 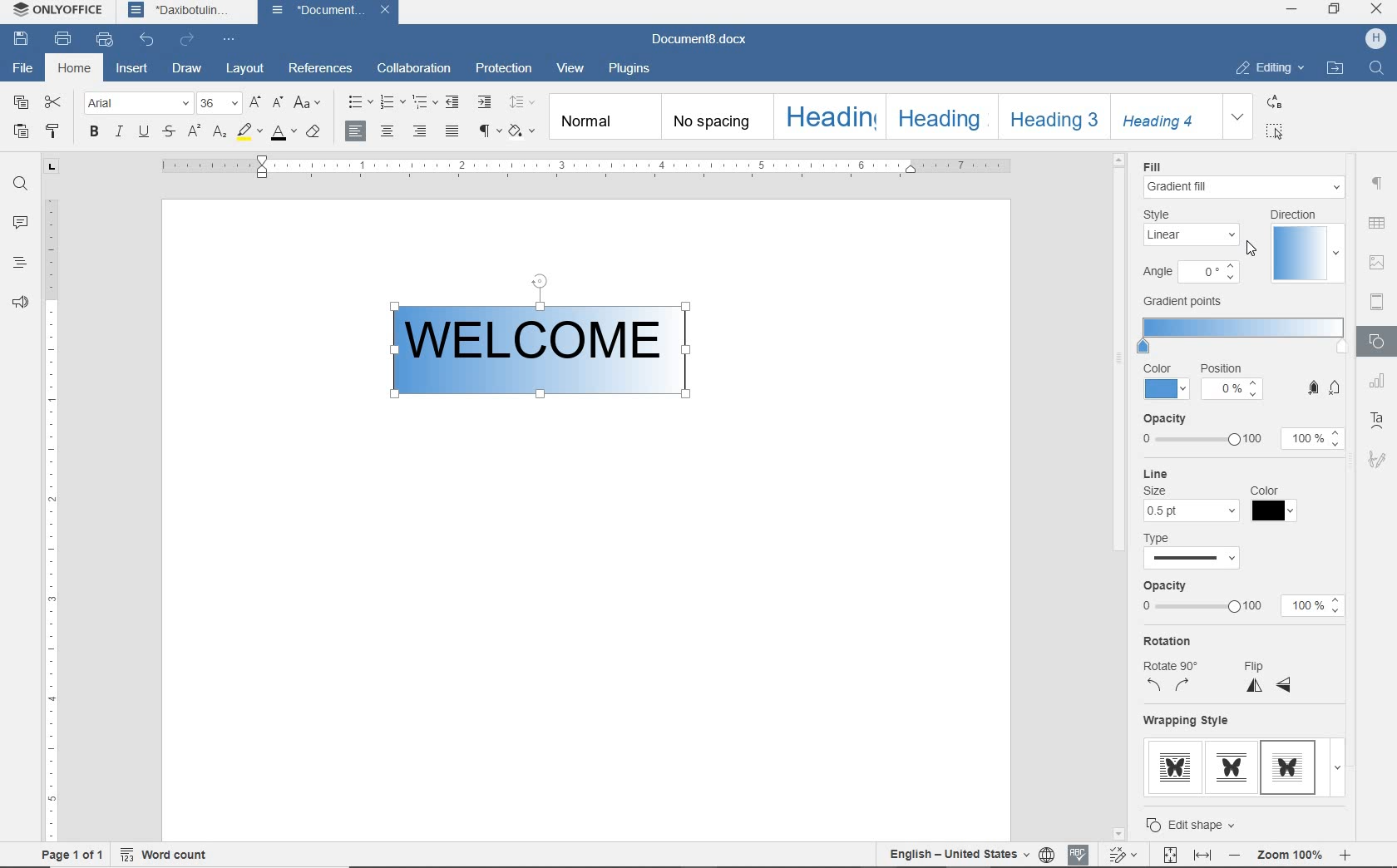 I want to click on Style, so click(x=1162, y=214).